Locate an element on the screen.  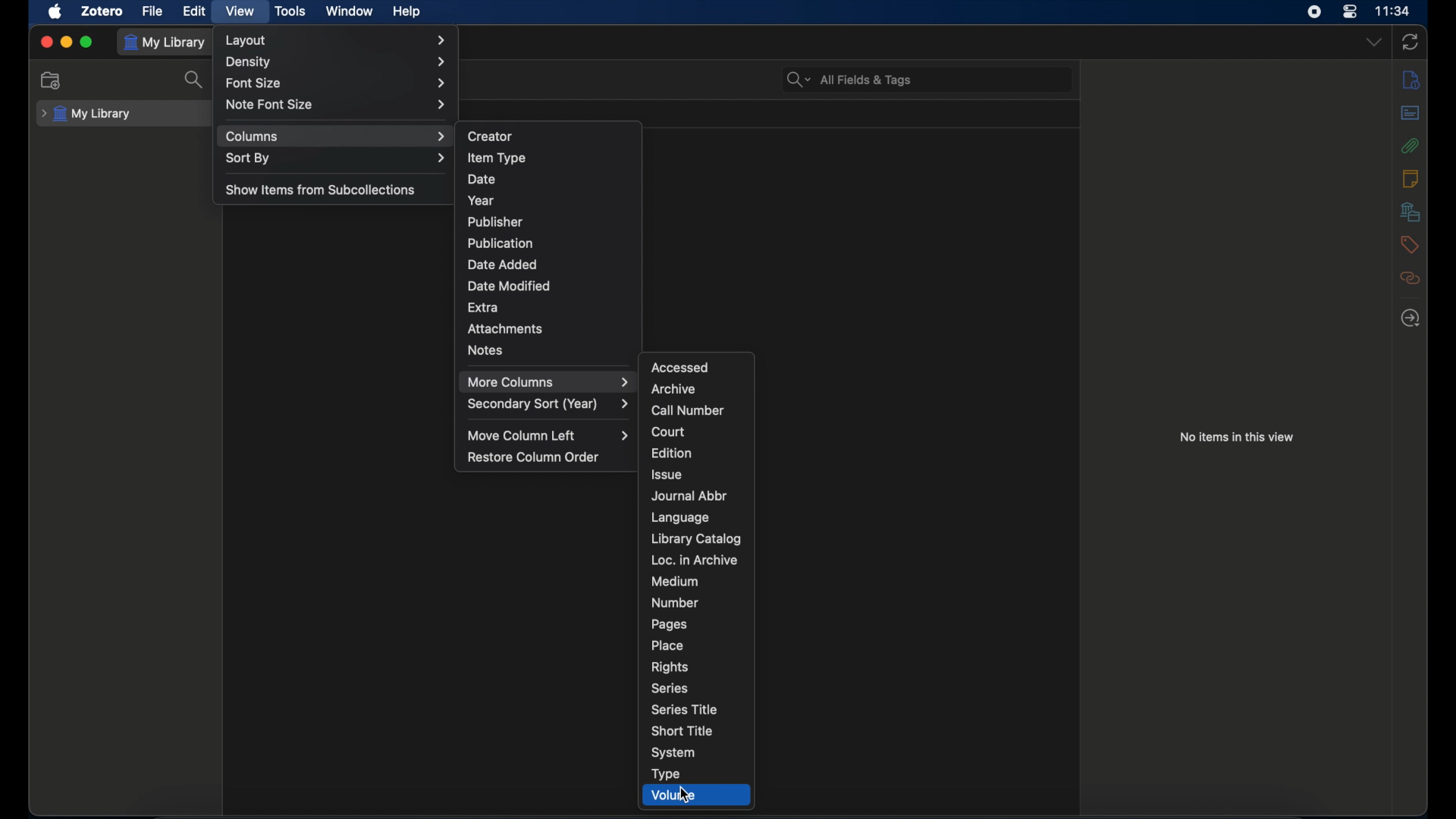
show items from subcollections is located at coordinates (322, 189).